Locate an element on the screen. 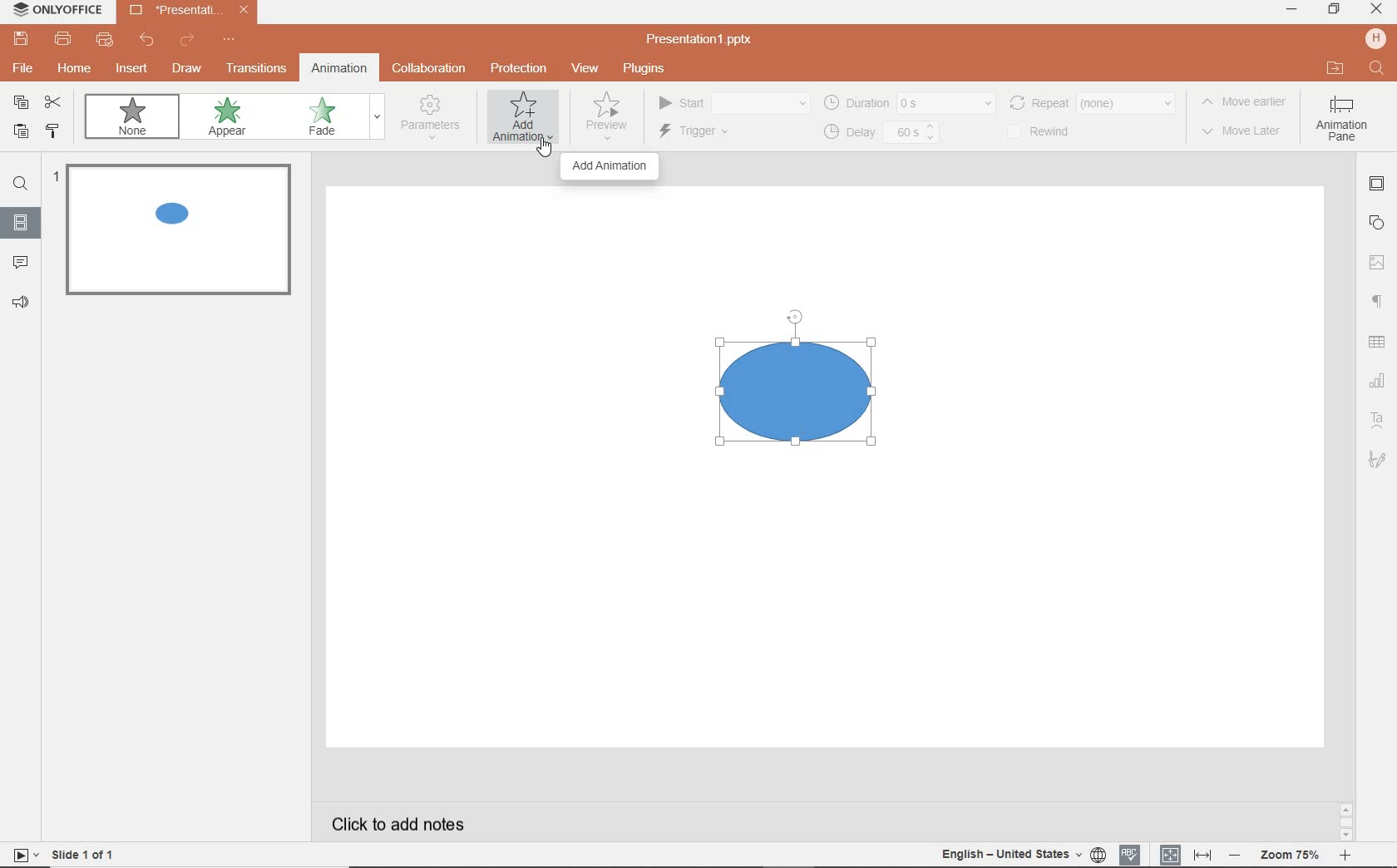 This screenshot has height=868, width=1397. table settings is located at coordinates (1379, 343).